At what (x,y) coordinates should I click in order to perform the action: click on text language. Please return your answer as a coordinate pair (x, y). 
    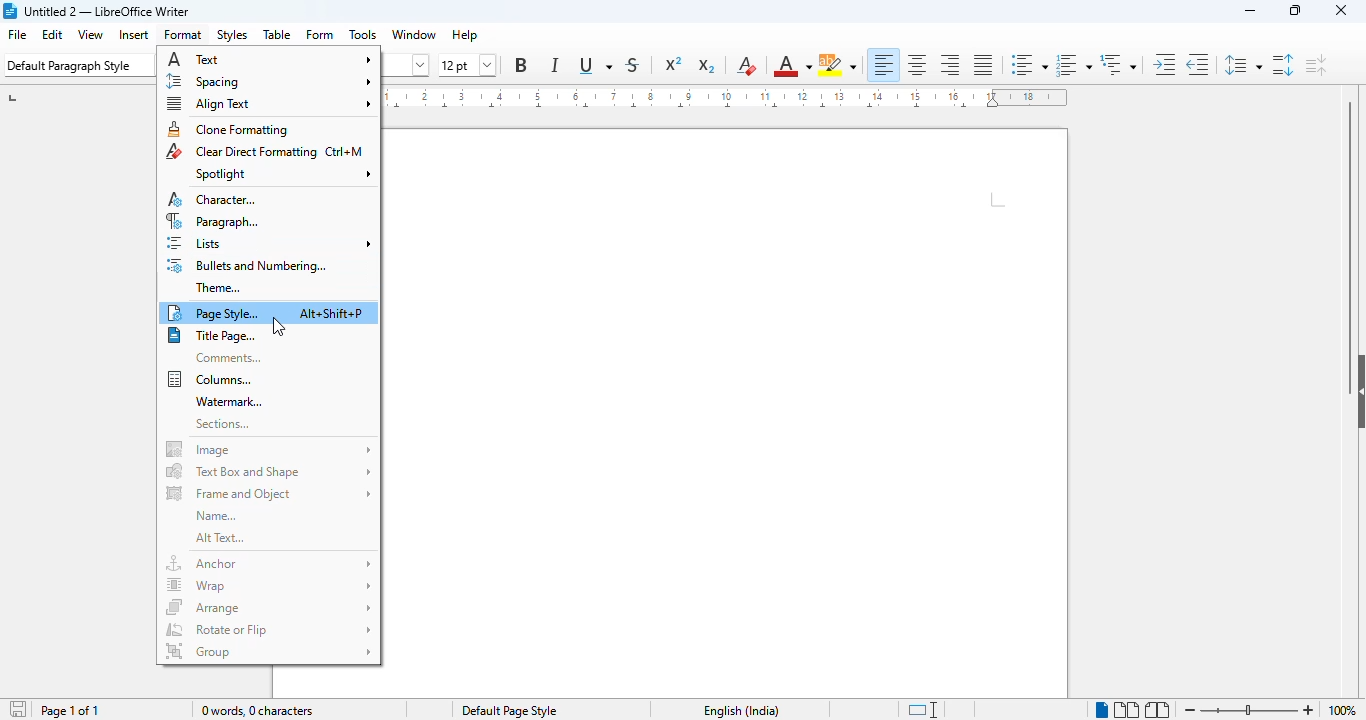
    Looking at the image, I should click on (741, 710).